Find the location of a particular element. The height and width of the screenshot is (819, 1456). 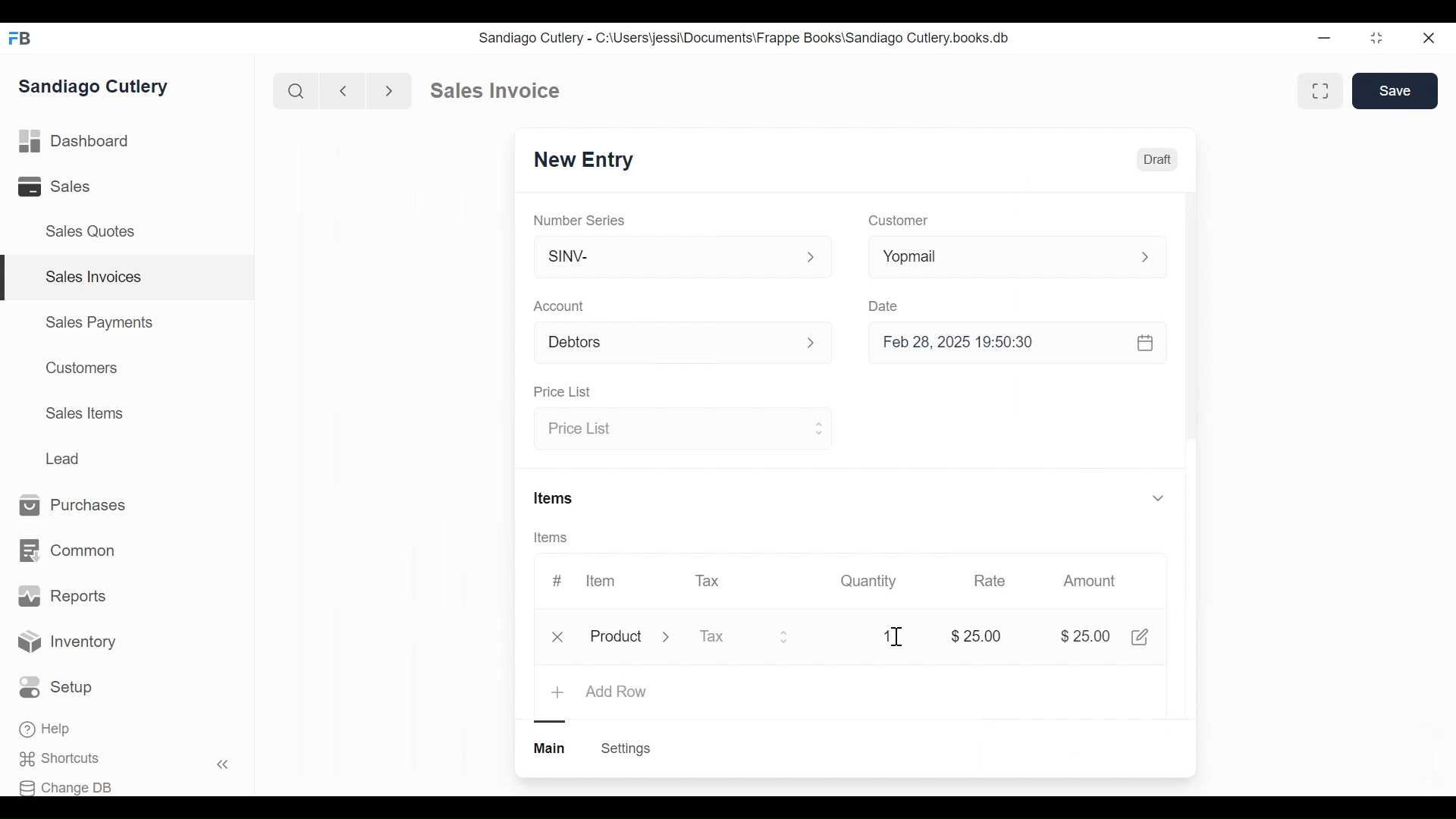

Setup is located at coordinates (56, 687).